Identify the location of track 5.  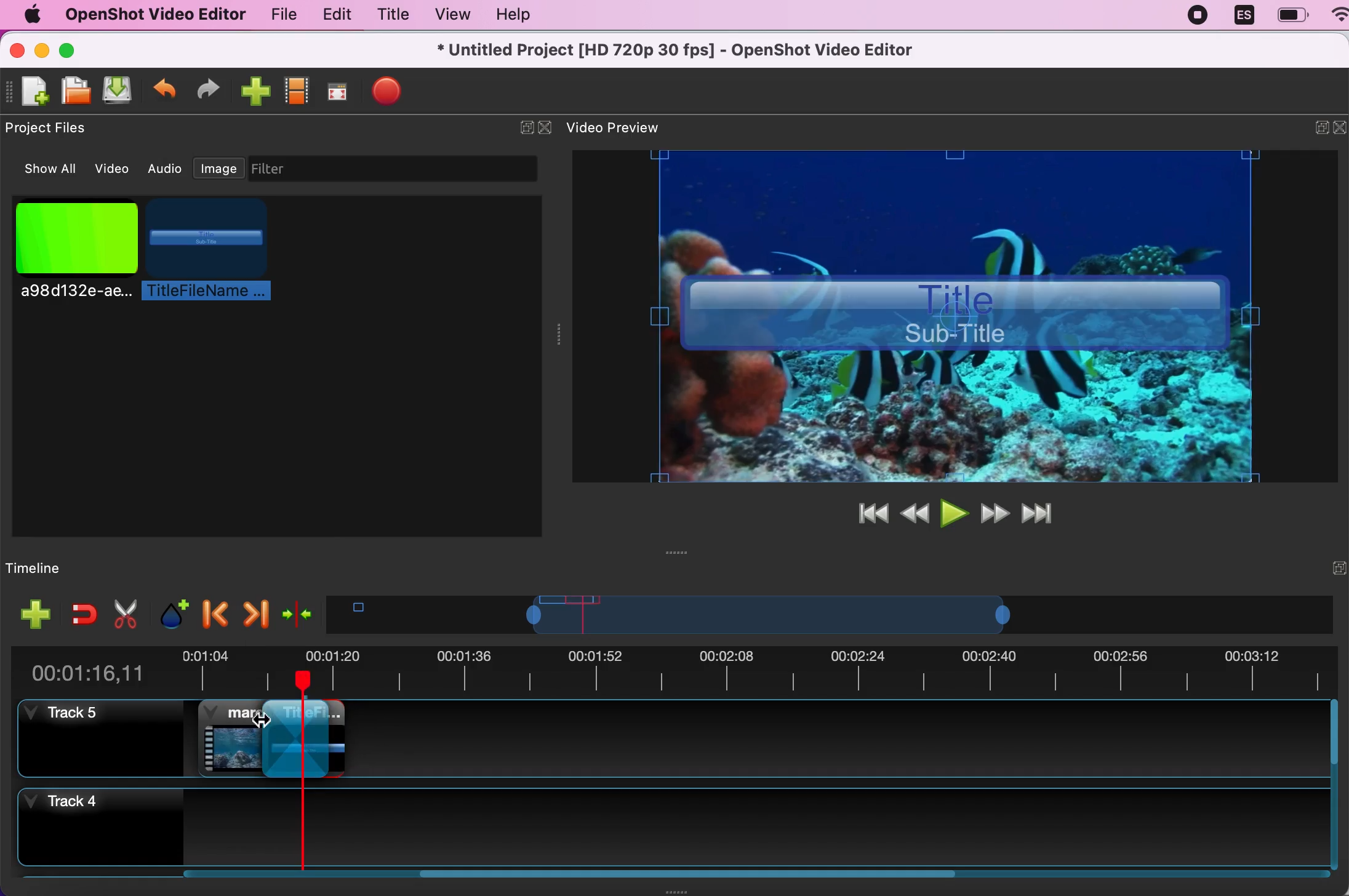
(100, 738).